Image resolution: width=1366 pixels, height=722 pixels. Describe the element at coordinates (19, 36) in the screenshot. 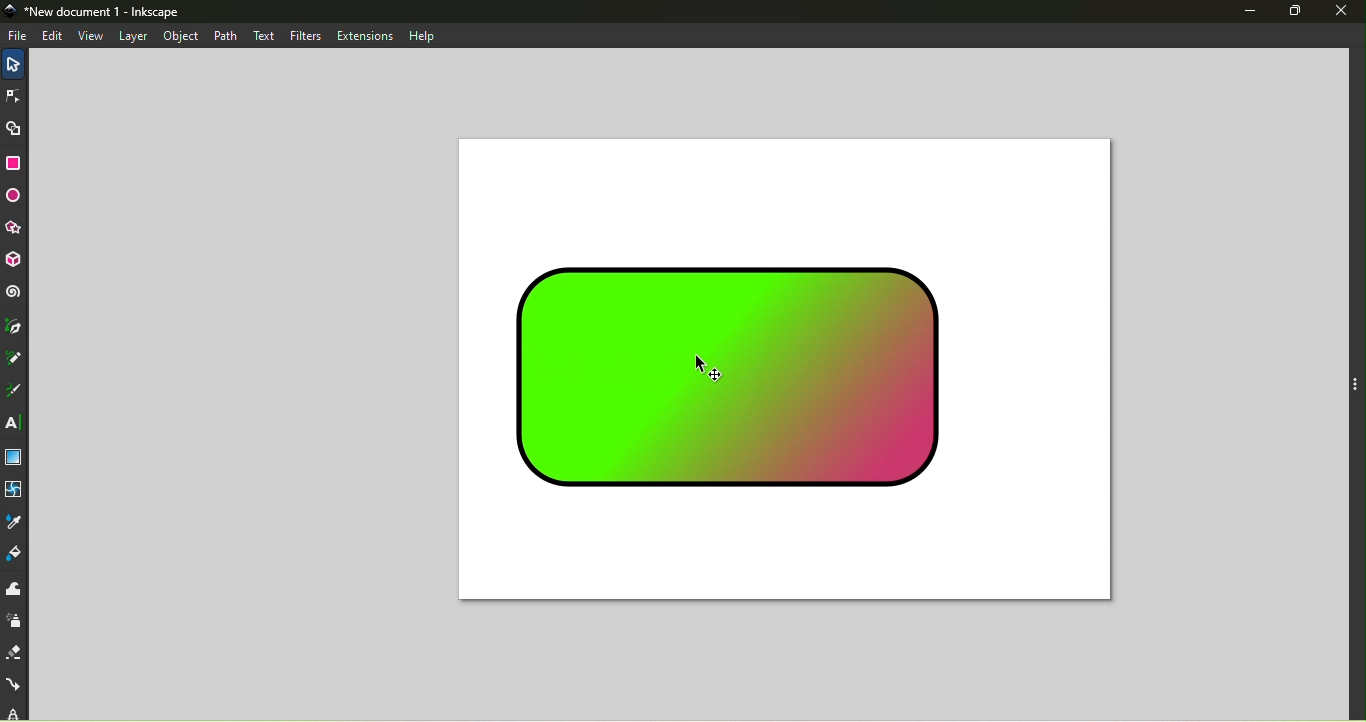

I see `File` at that location.